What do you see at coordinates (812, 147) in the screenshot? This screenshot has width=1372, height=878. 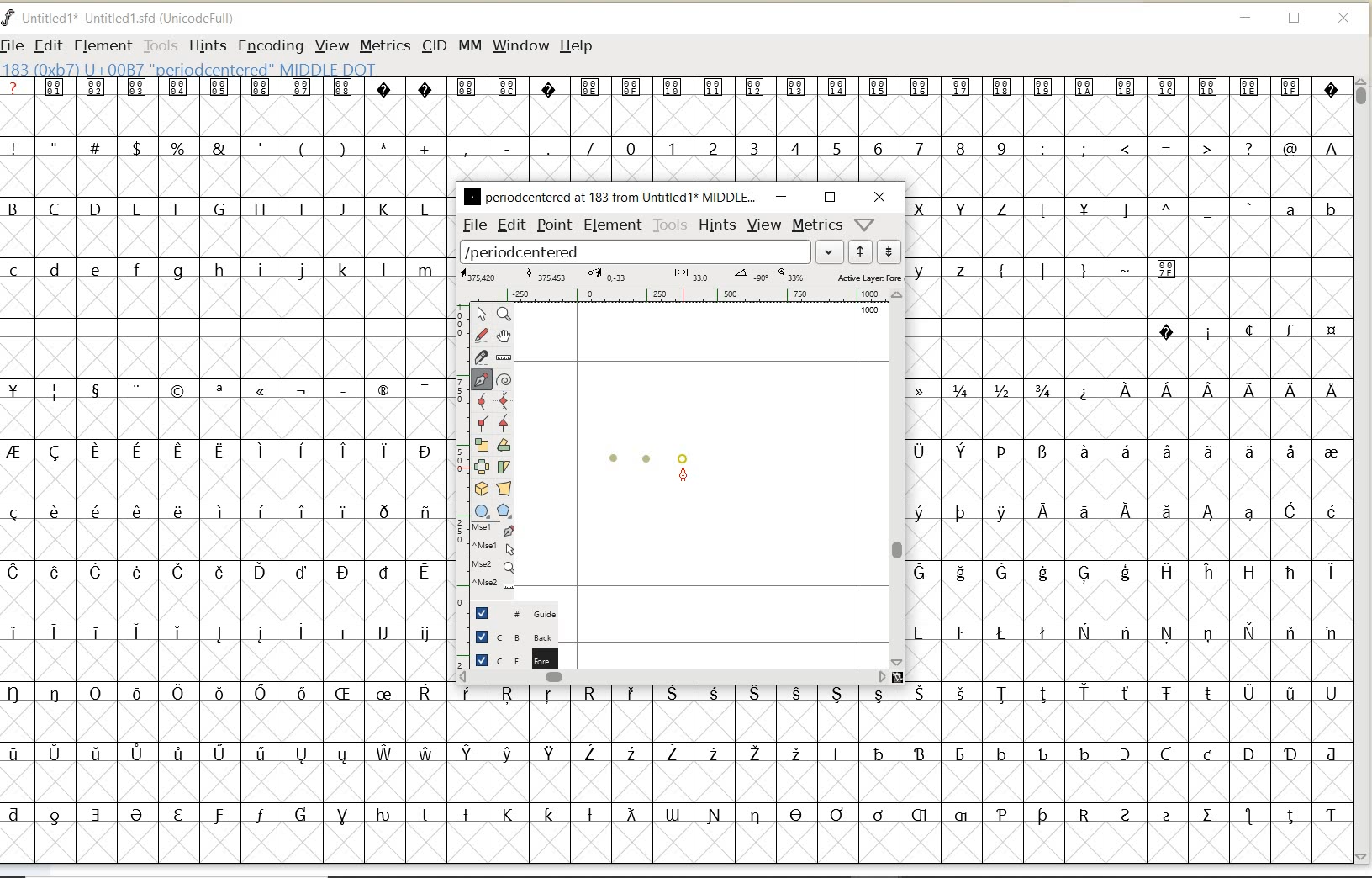 I see `numbers` at bounding box center [812, 147].